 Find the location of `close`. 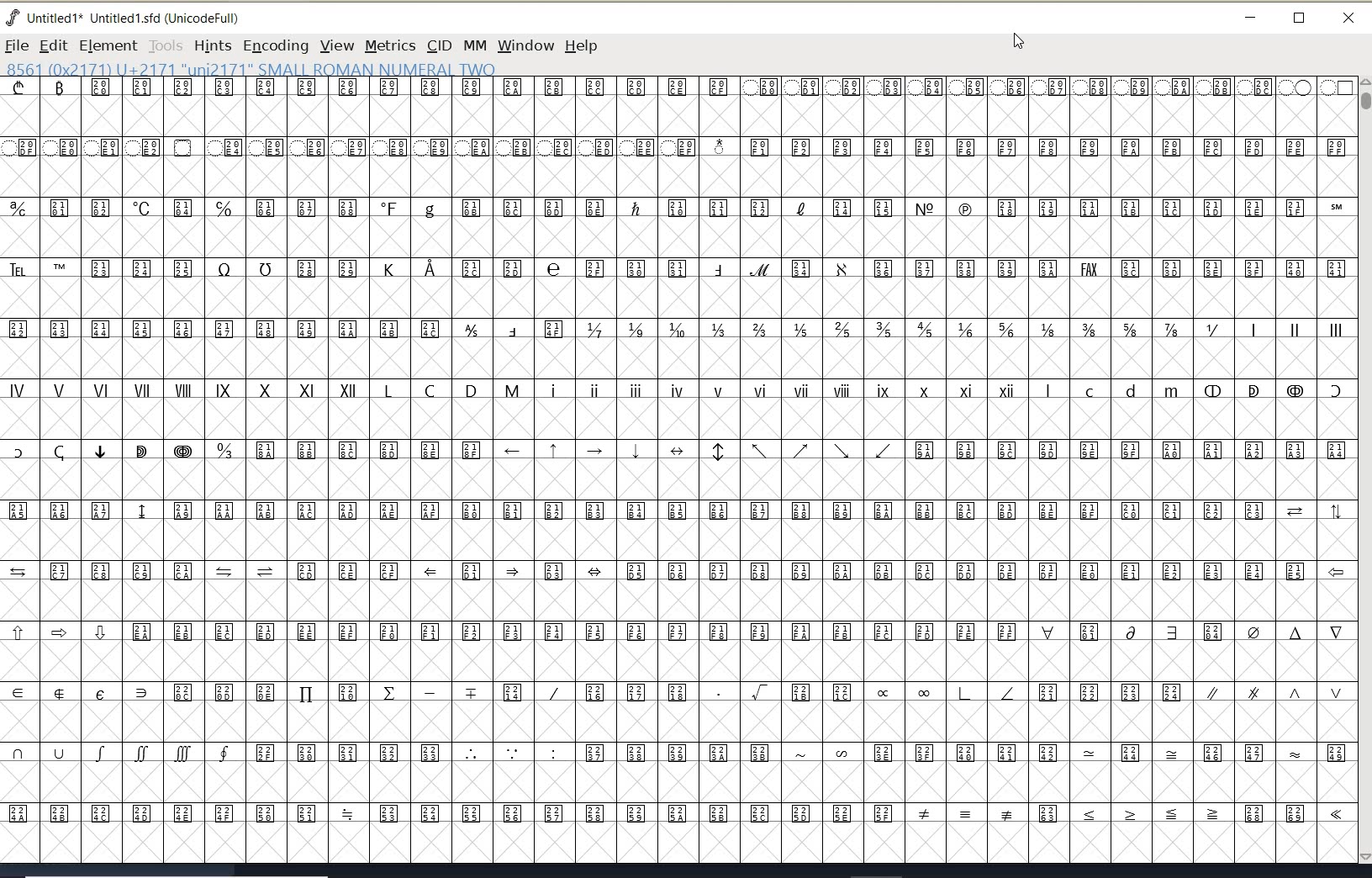

close is located at coordinates (1348, 19).